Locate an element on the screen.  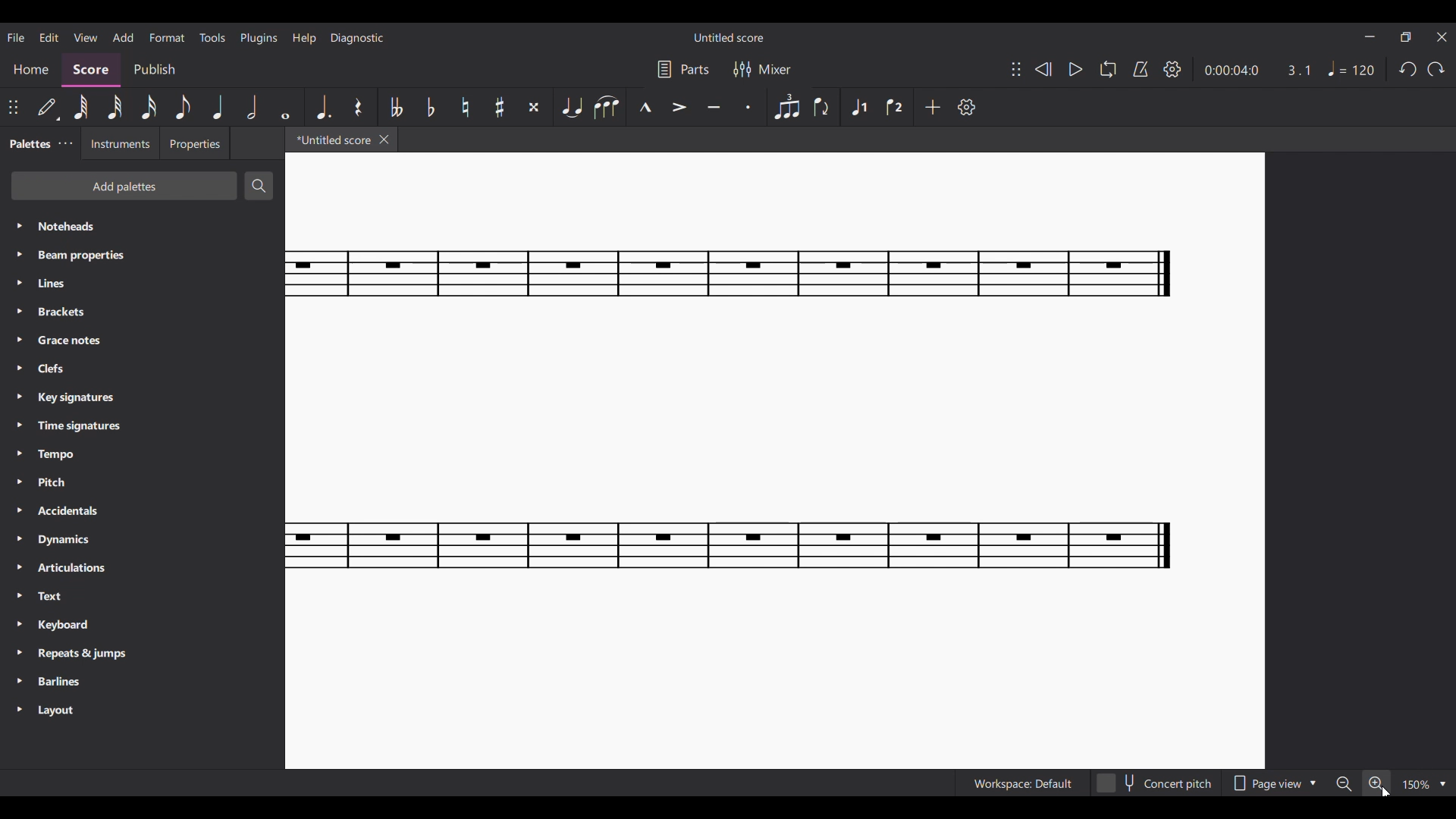
16th note is located at coordinates (149, 107).